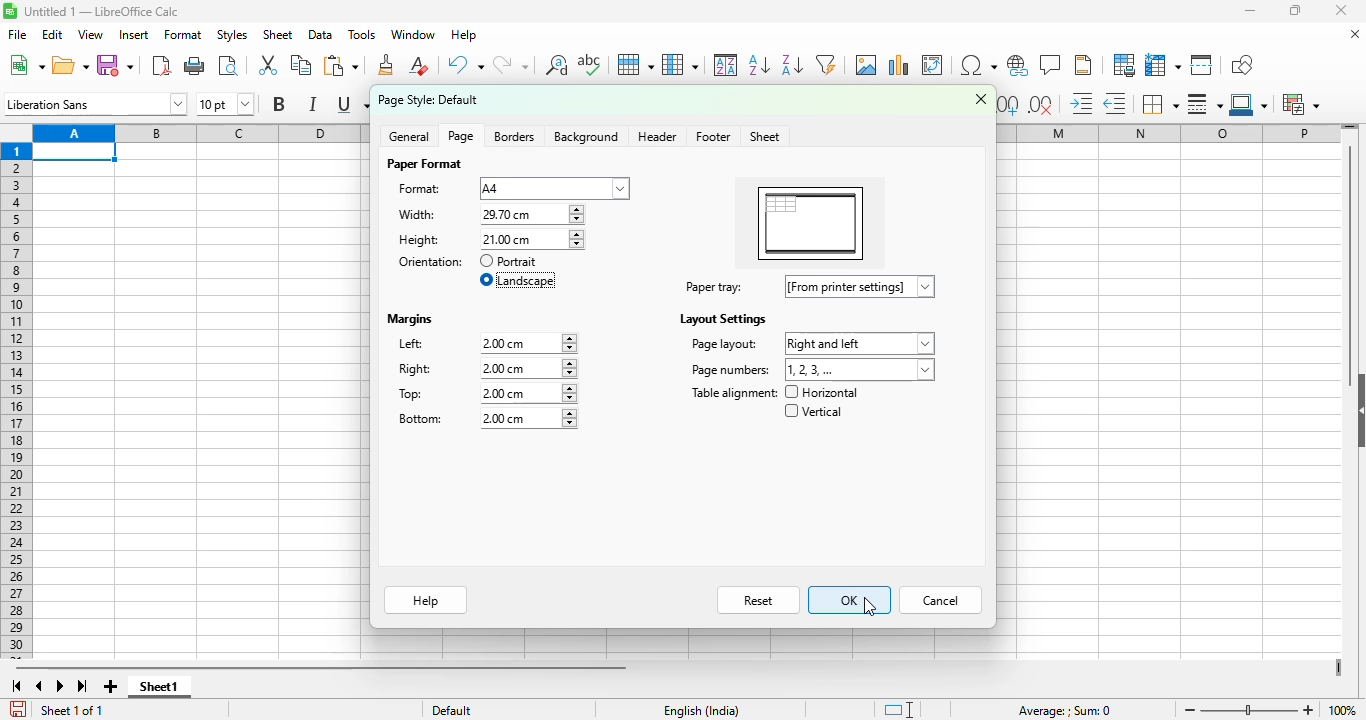  I want to click on close document, so click(1356, 34).